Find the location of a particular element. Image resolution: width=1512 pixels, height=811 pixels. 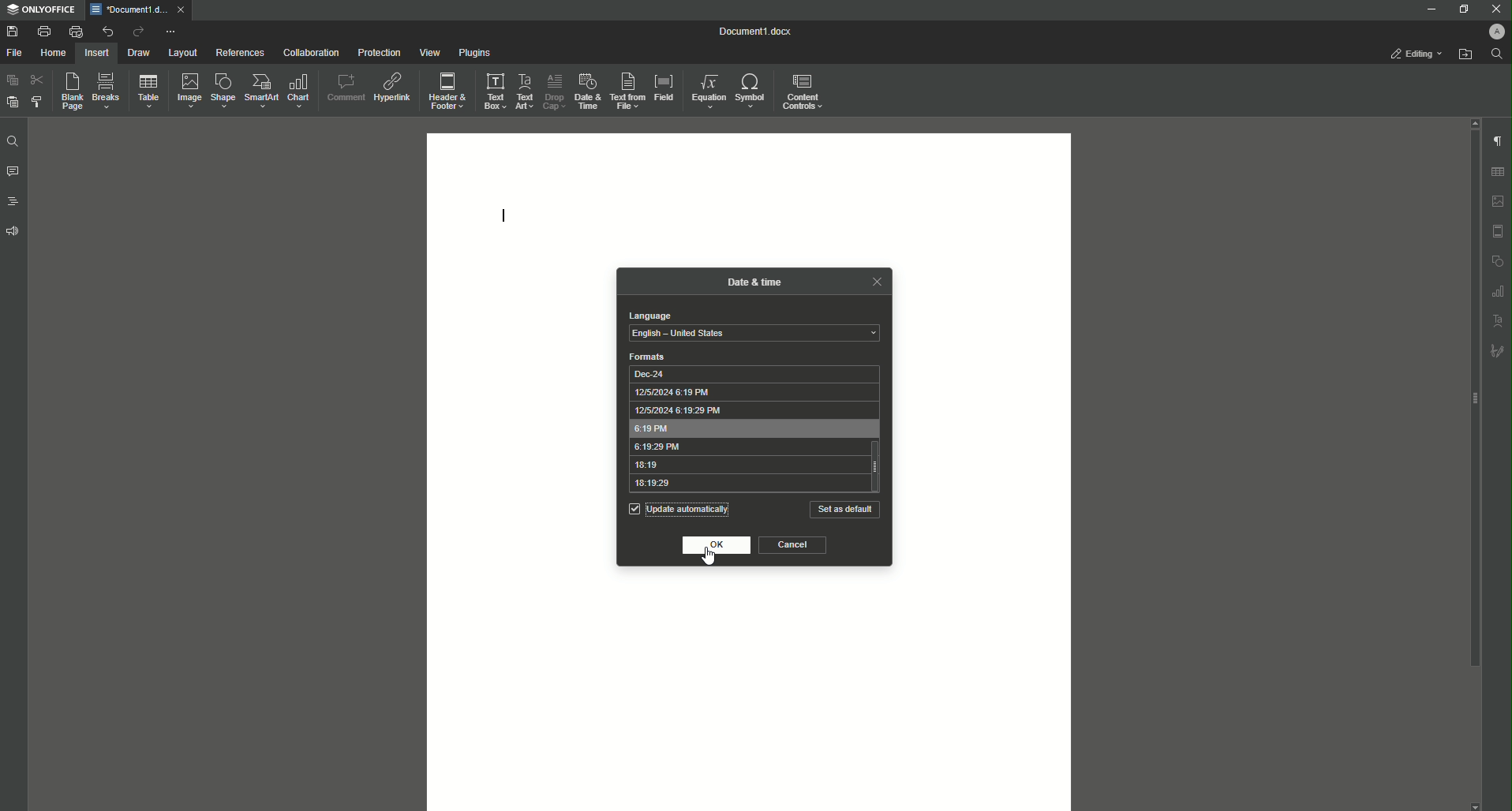

Cursor is located at coordinates (709, 558).